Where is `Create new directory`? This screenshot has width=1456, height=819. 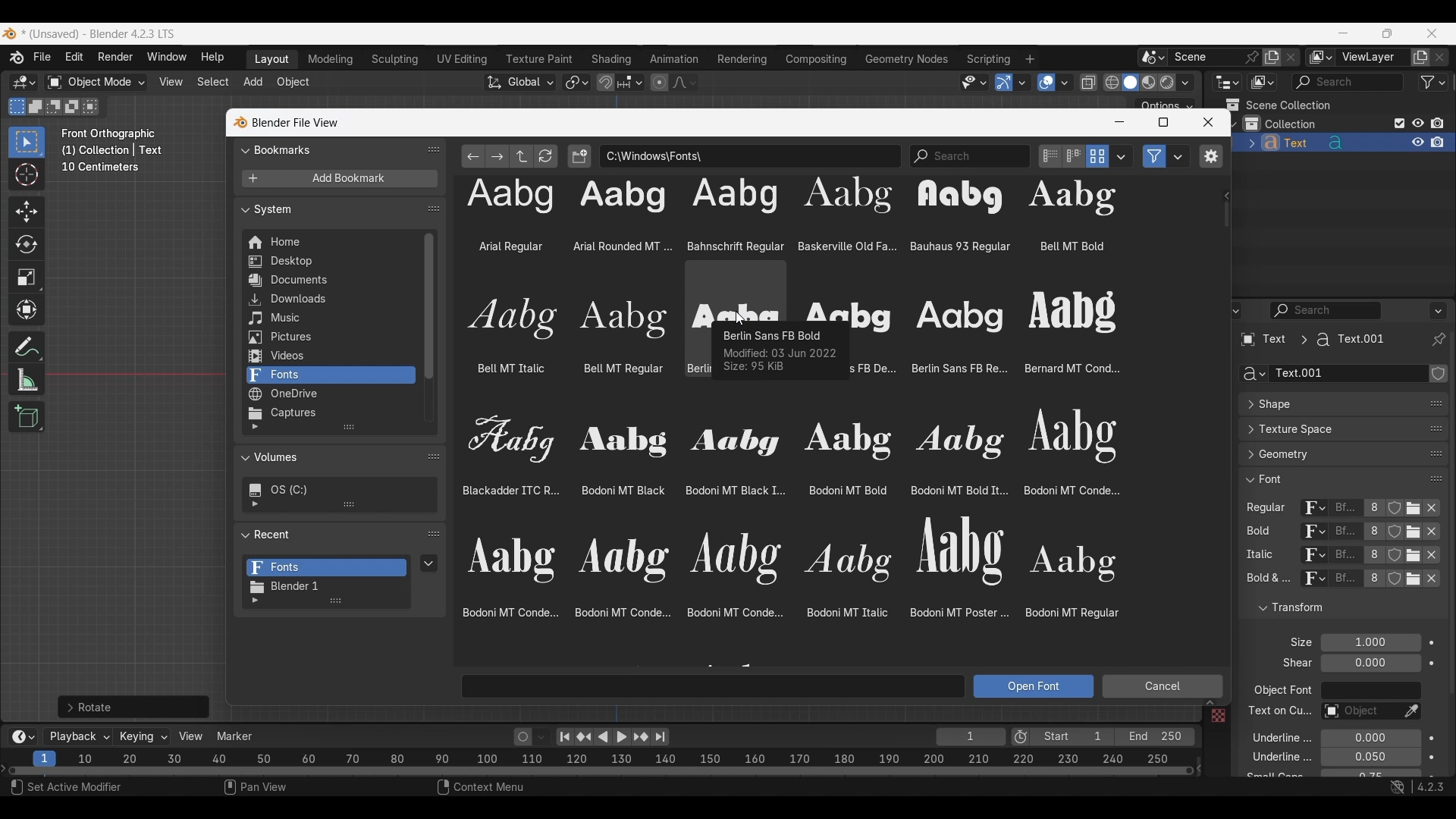 Create new directory is located at coordinates (579, 156).